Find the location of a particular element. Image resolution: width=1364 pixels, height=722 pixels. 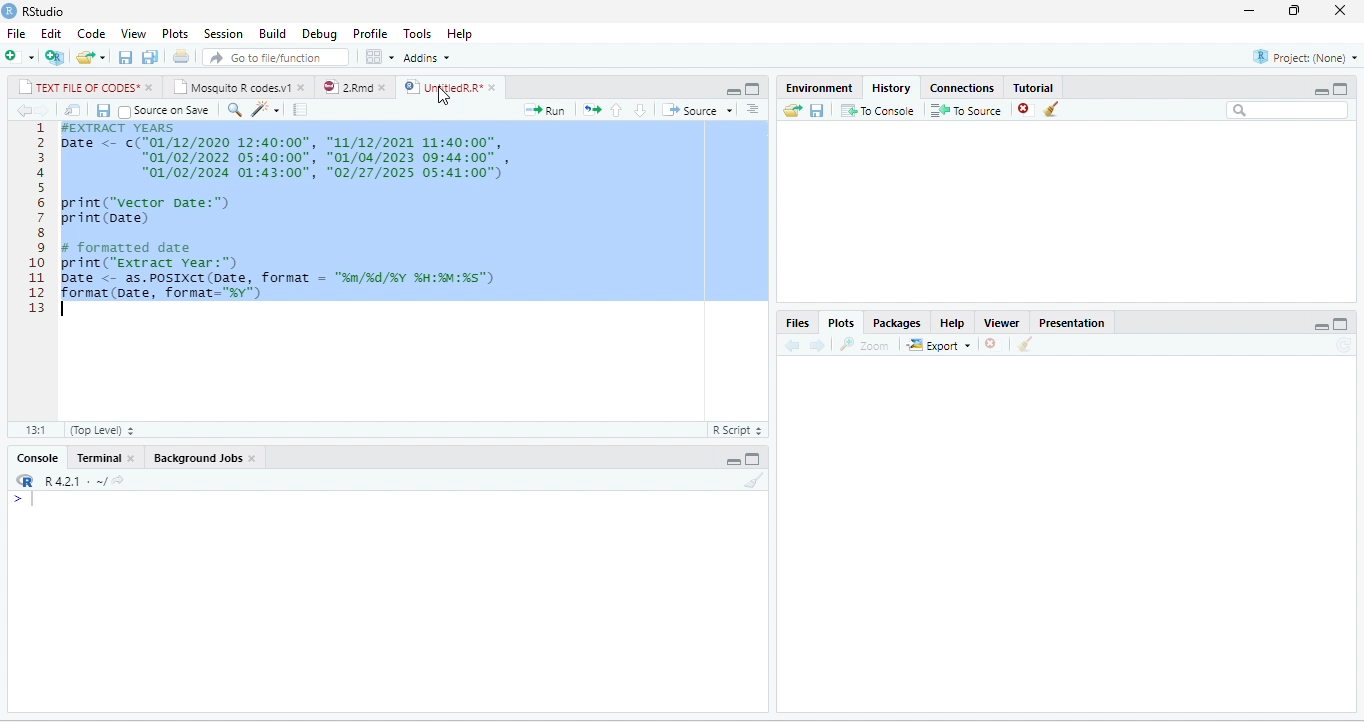

forward is located at coordinates (43, 110).